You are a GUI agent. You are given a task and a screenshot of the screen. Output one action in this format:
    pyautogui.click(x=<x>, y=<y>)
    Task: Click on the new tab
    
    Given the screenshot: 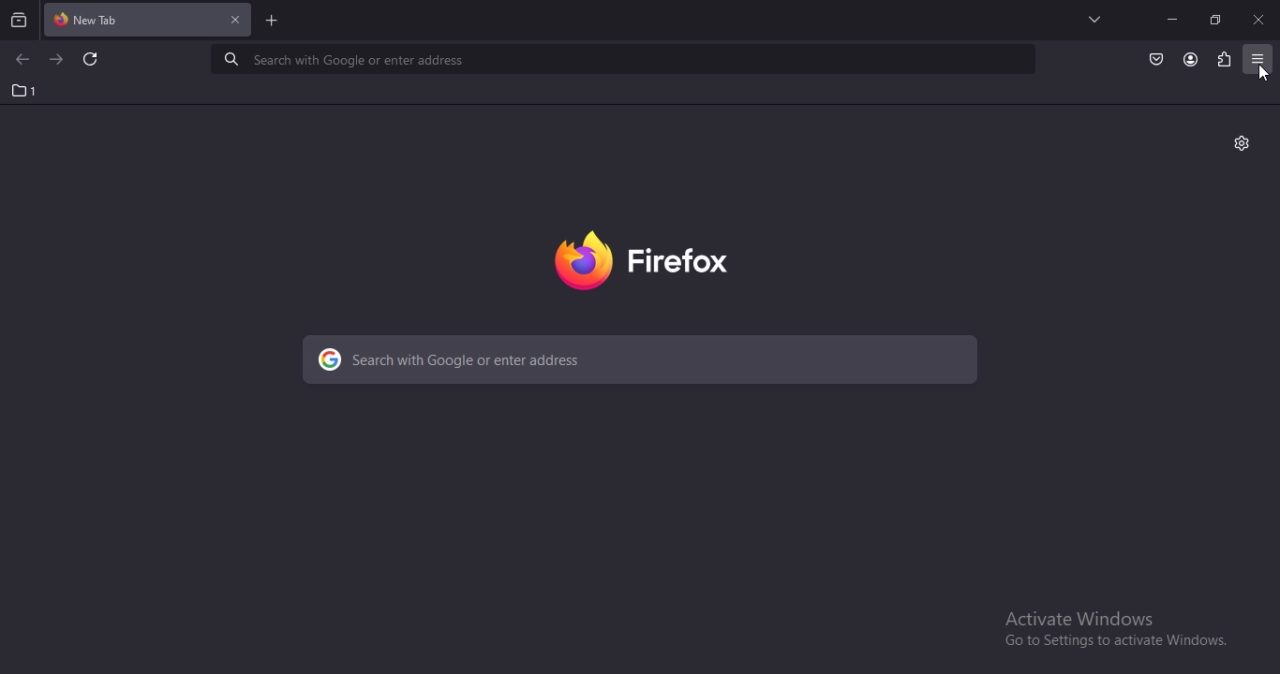 What is the action you would take?
    pyautogui.click(x=273, y=22)
    